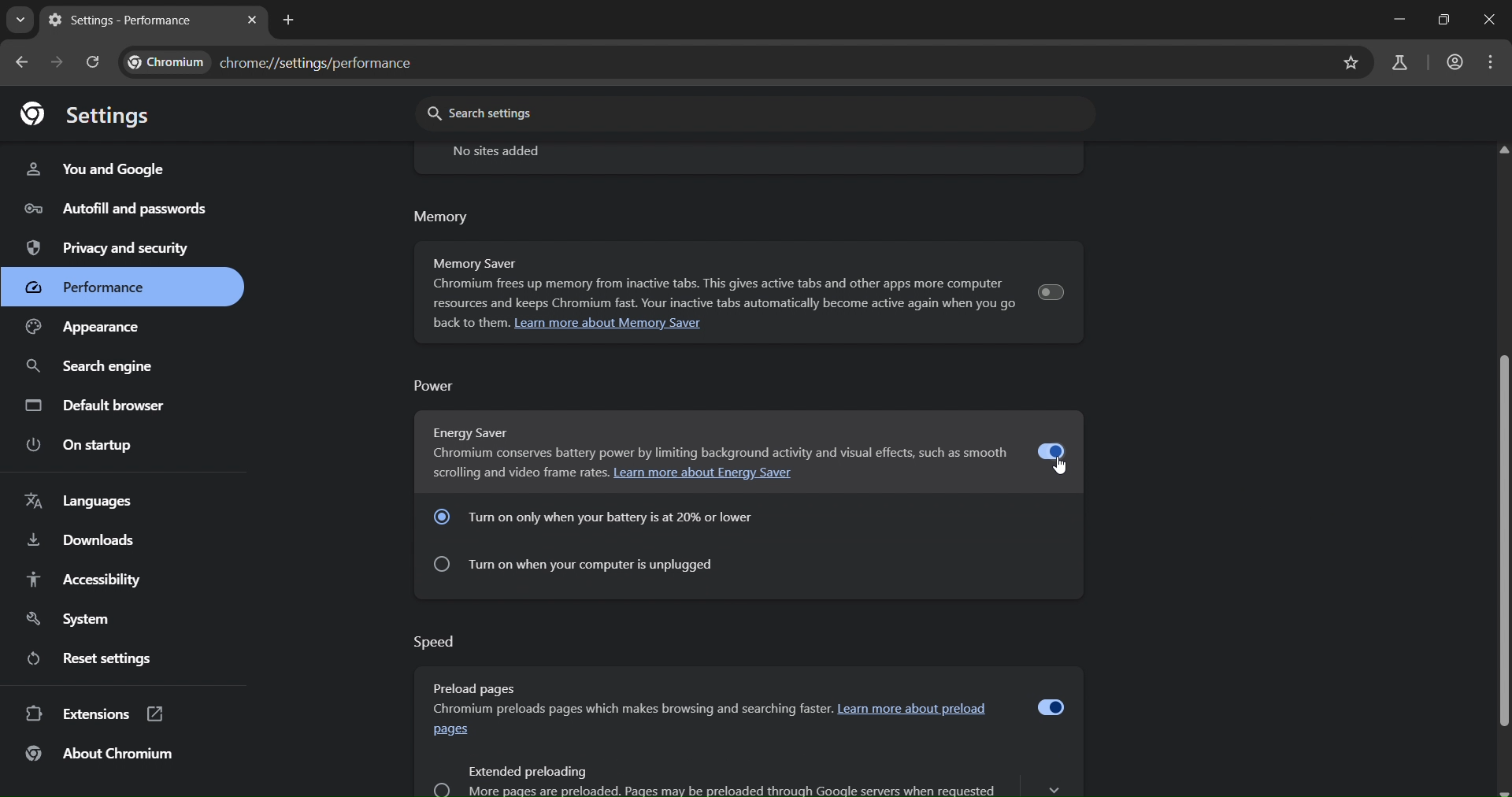 This screenshot has height=797, width=1512. I want to click on minimize, so click(1396, 16).